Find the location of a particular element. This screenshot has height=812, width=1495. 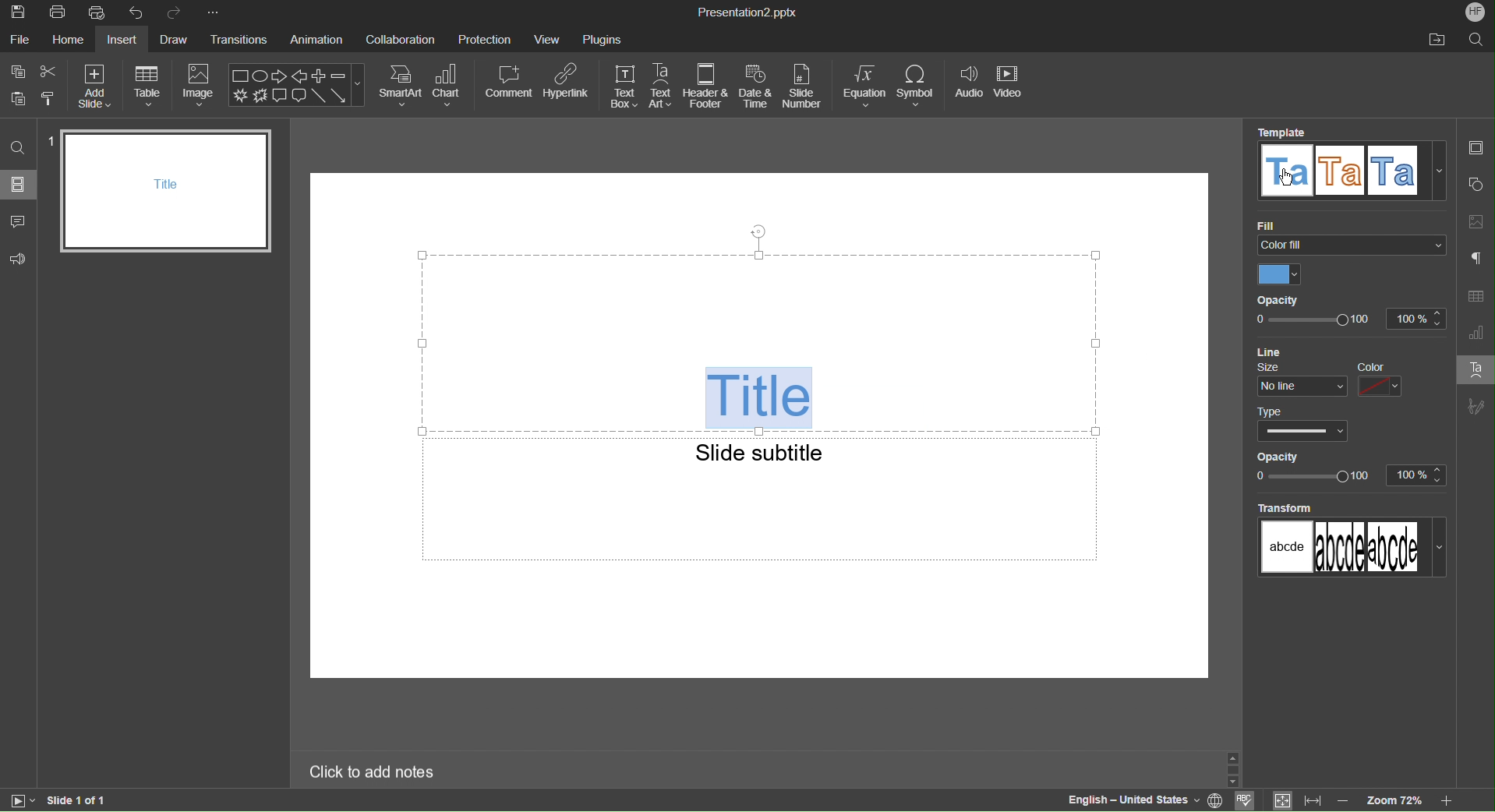

WordArt Title is located at coordinates (755, 397).